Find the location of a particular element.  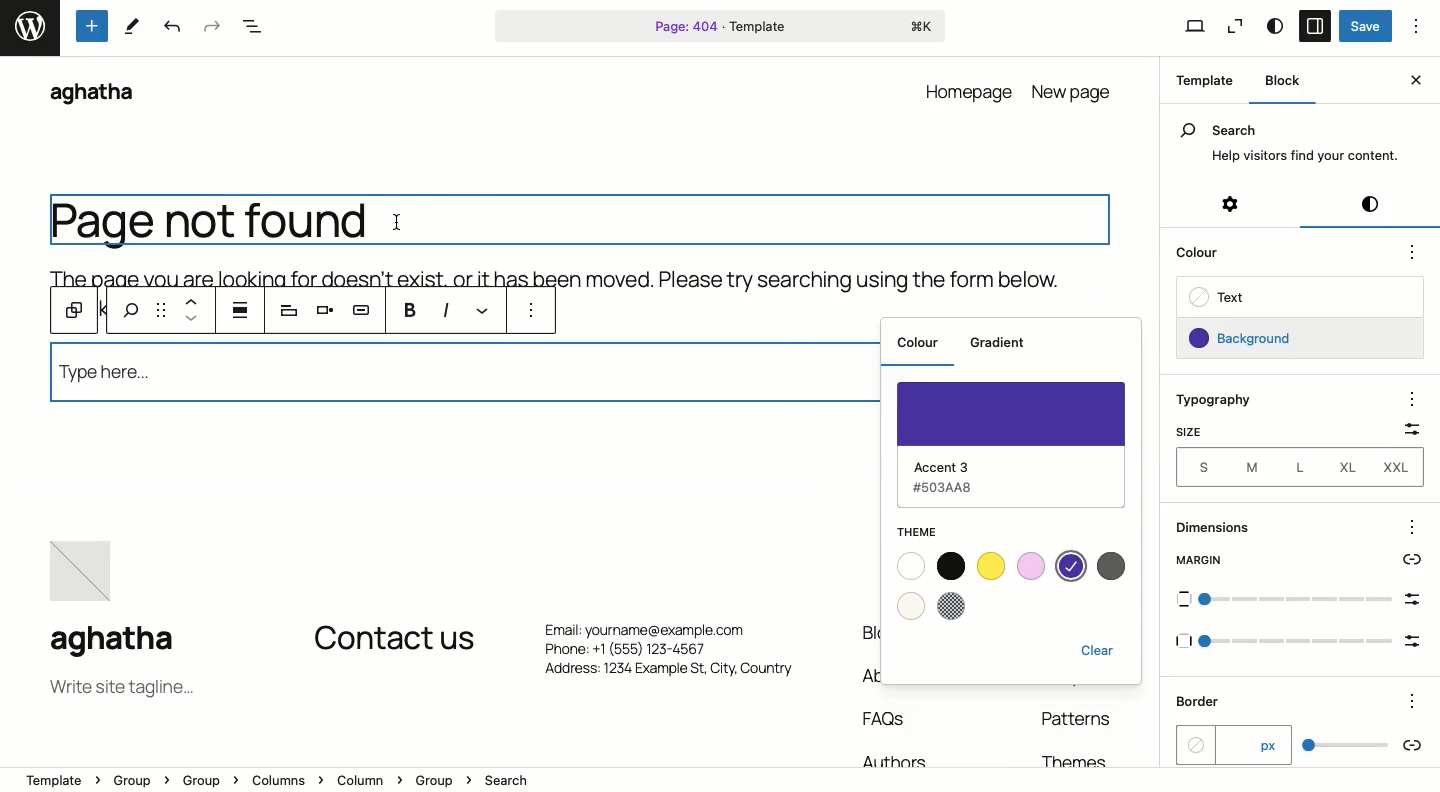

Scale is located at coordinates (1405, 430).